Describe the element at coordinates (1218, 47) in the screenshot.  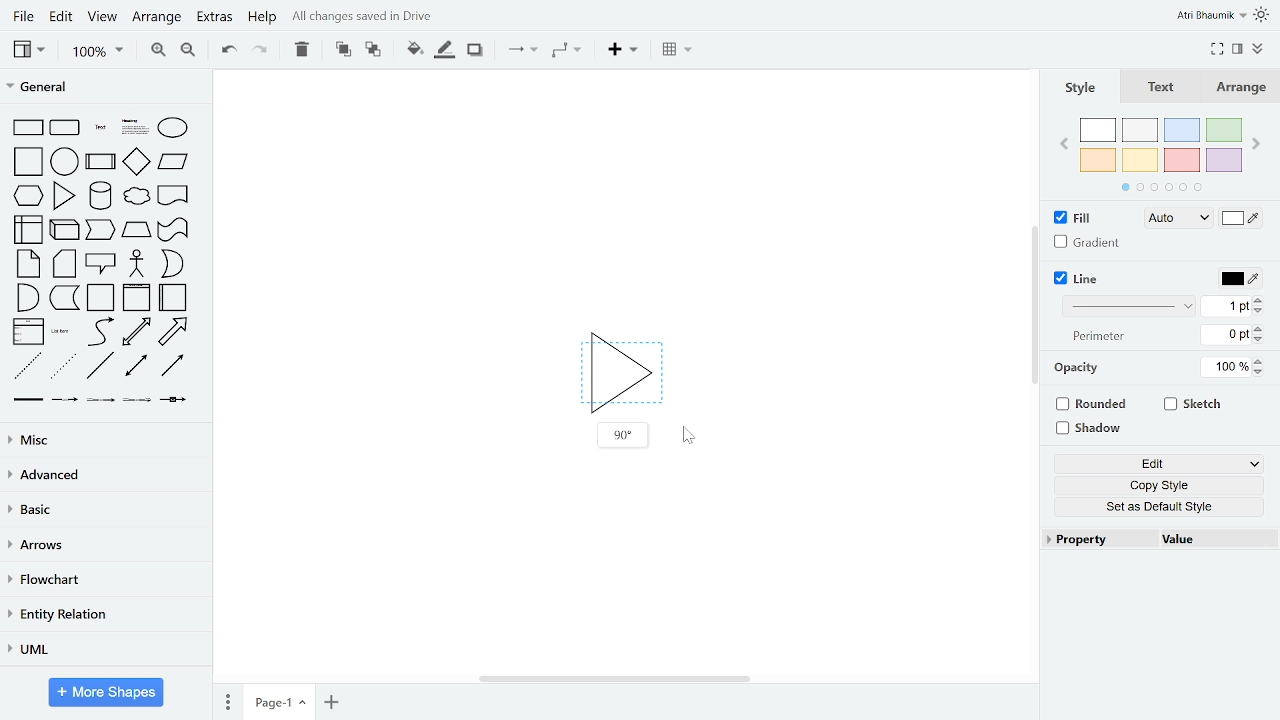
I see `full screen` at that location.